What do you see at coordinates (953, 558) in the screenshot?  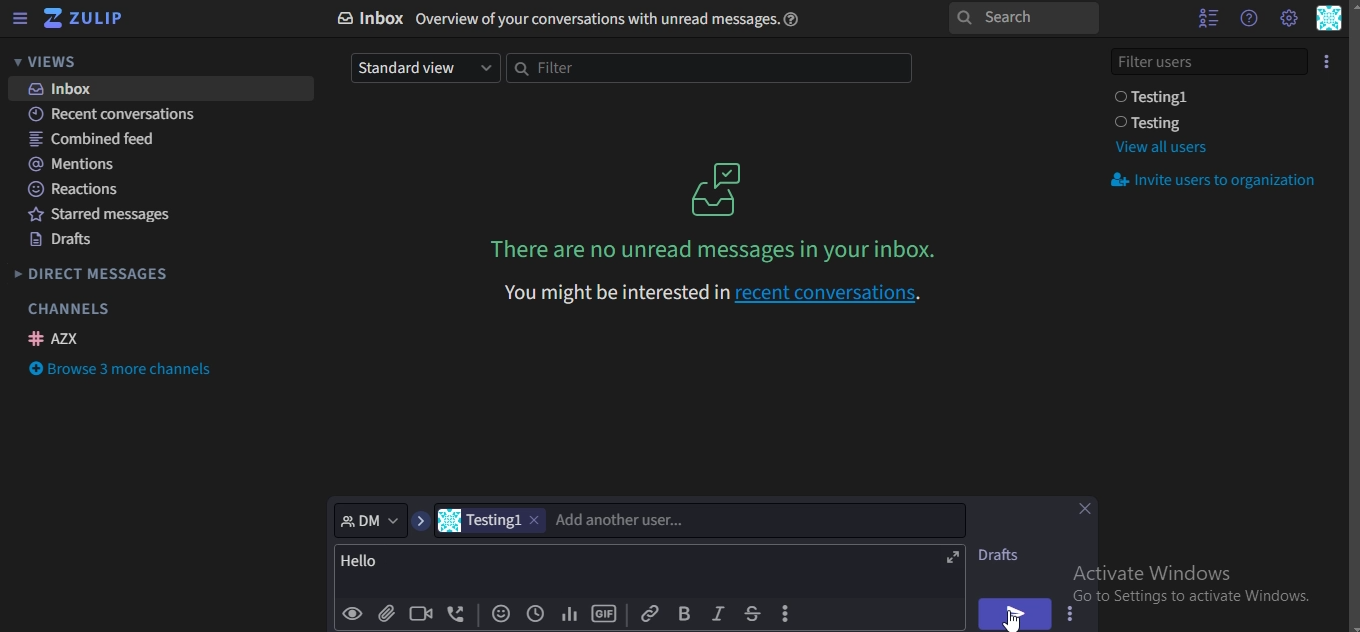 I see `expand` at bounding box center [953, 558].